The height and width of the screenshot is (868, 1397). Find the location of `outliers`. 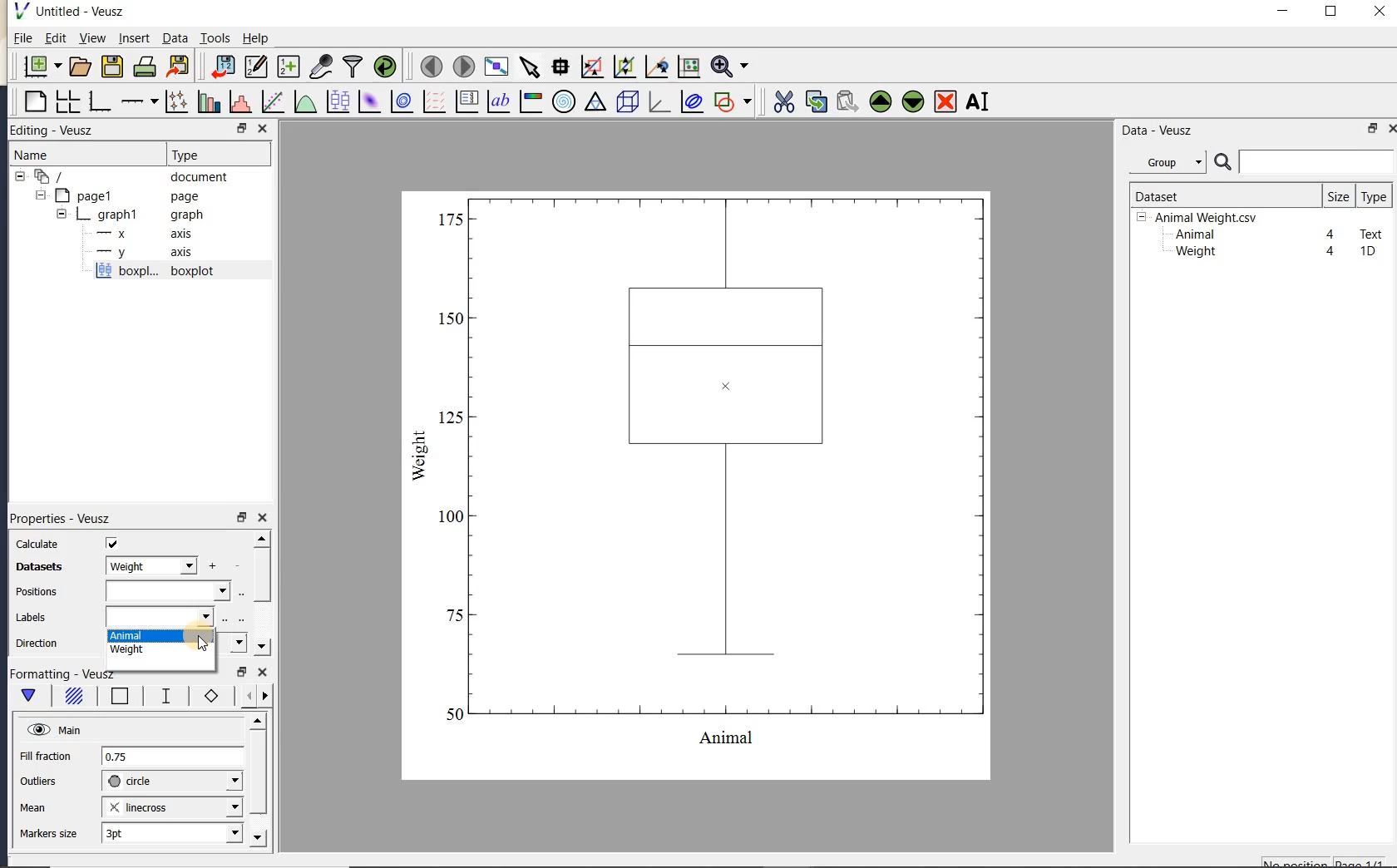

outliers is located at coordinates (39, 782).